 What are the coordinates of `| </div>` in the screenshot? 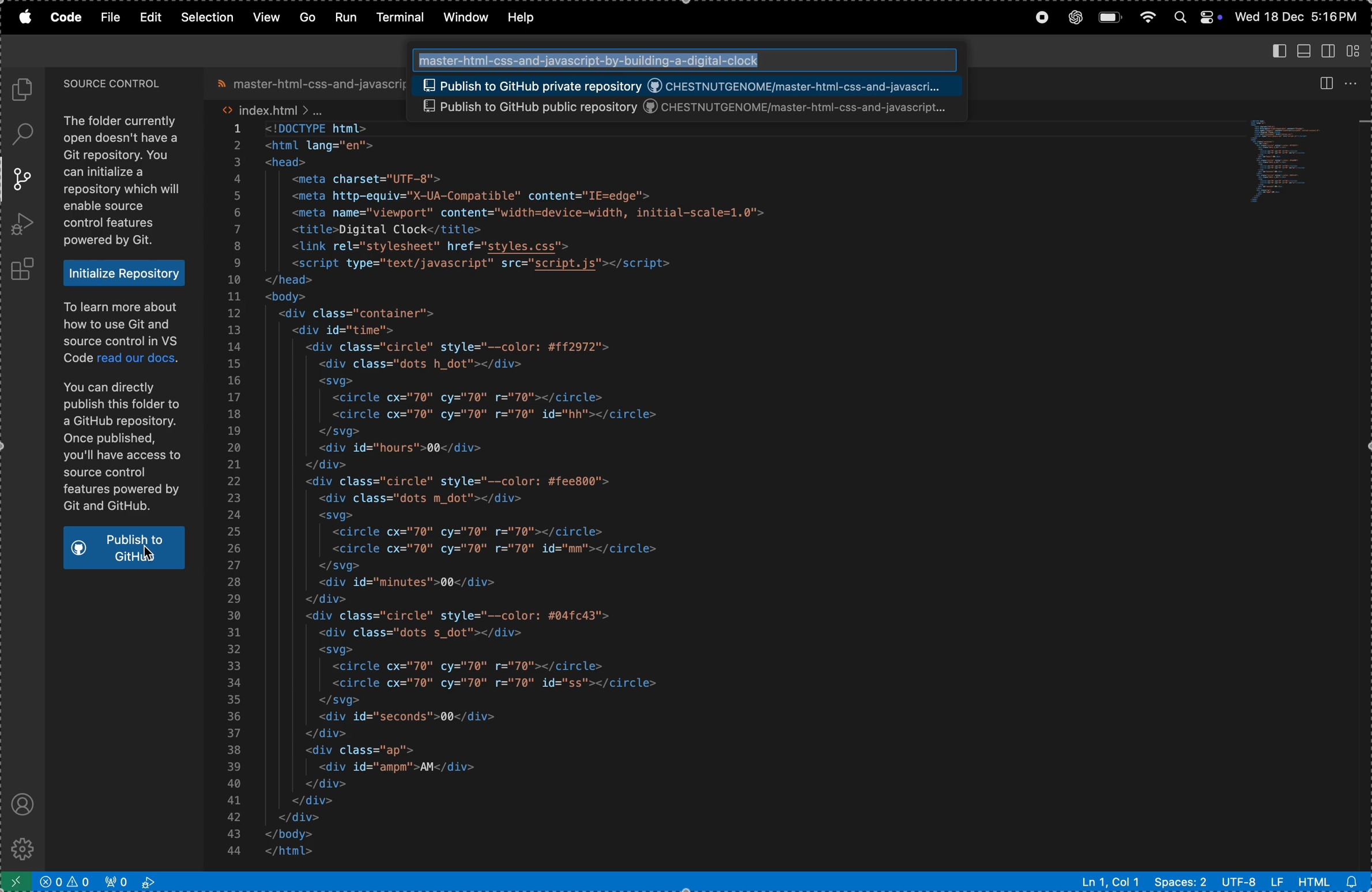 It's located at (319, 802).